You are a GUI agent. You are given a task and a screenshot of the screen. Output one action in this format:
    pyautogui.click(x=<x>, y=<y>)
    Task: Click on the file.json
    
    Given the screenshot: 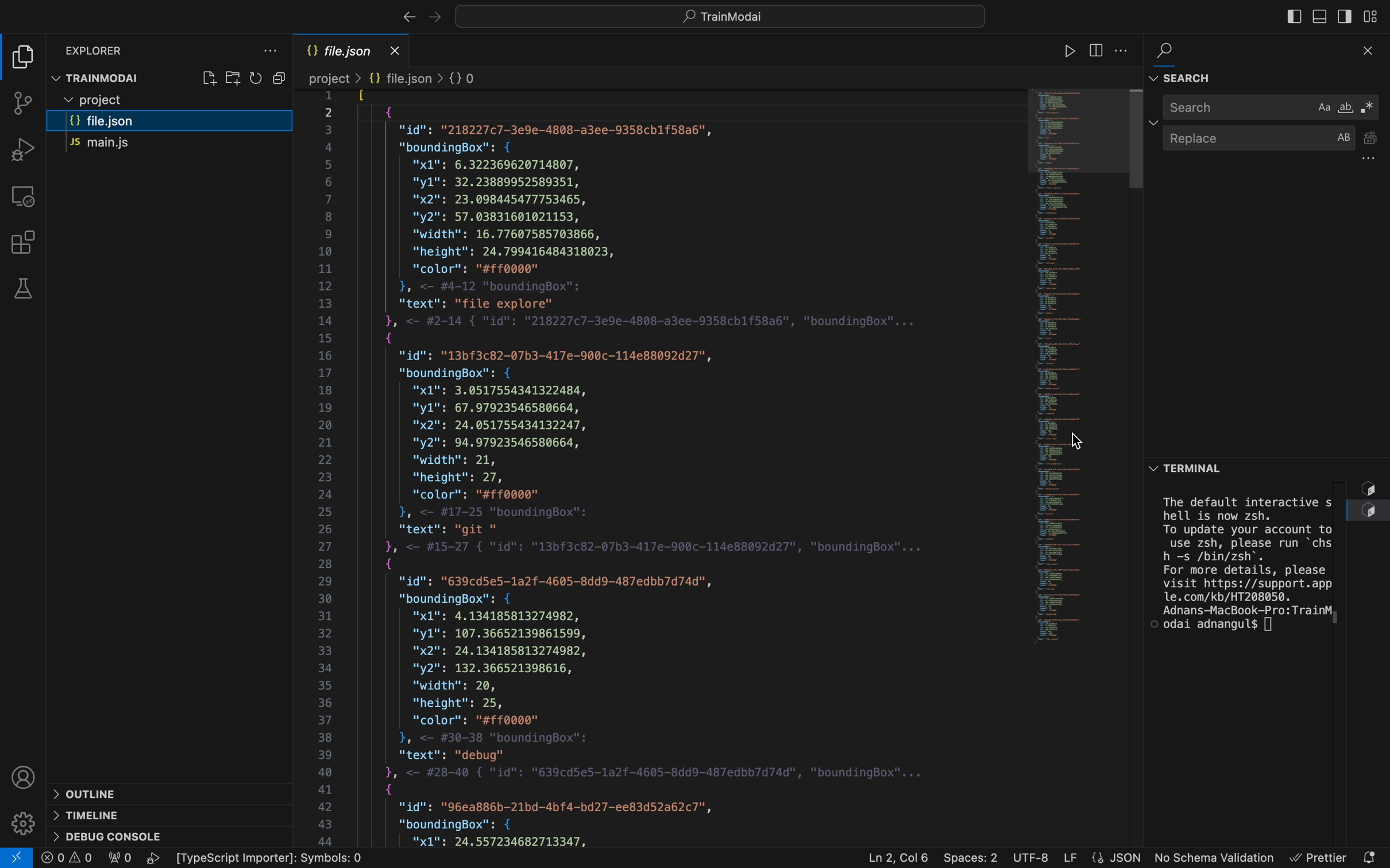 What is the action you would take?
    pyautogui.click(x=167, y=123)
    